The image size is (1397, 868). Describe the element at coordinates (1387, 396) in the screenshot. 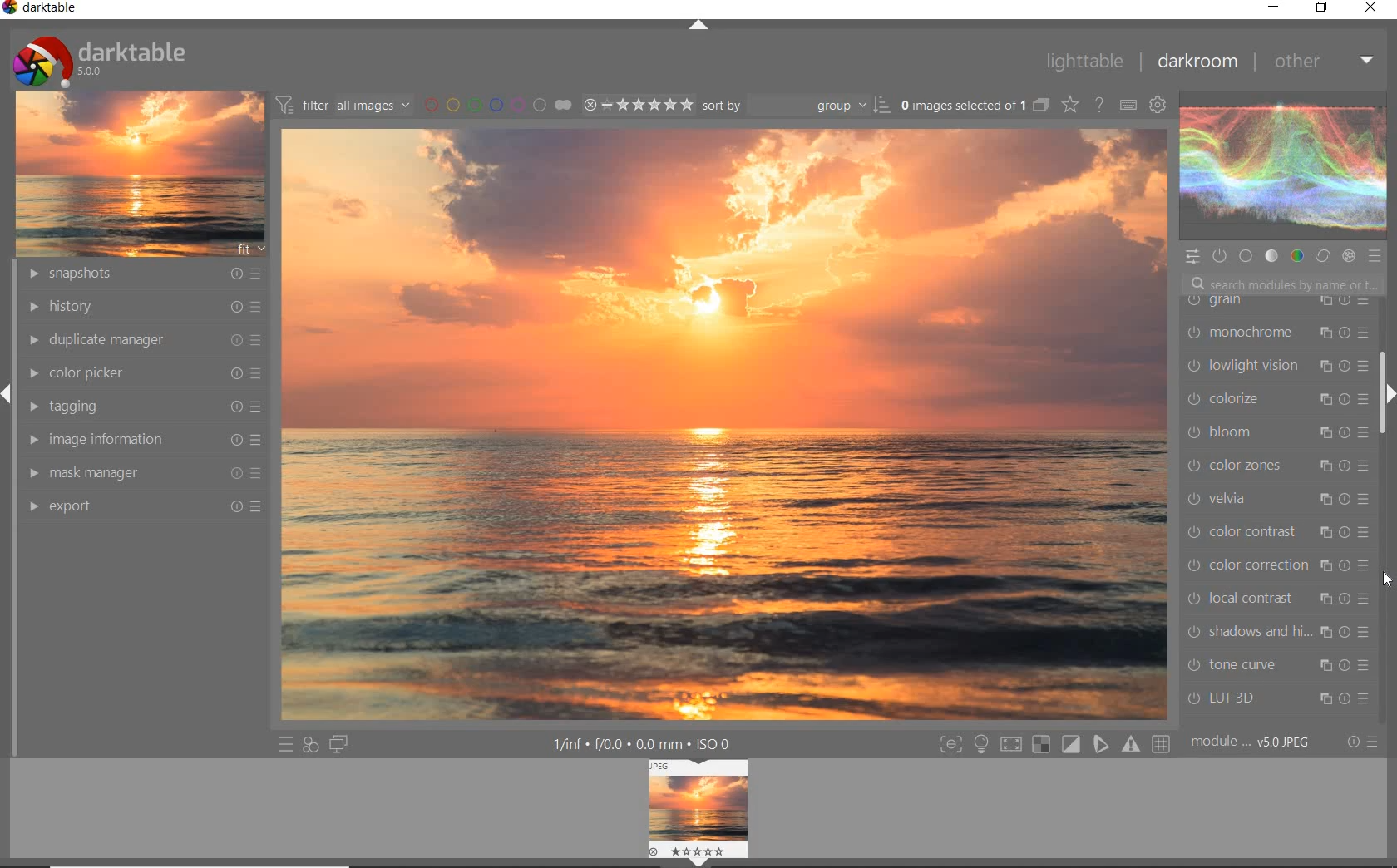

I see `EXPAND/COLLAPSE` at that location.